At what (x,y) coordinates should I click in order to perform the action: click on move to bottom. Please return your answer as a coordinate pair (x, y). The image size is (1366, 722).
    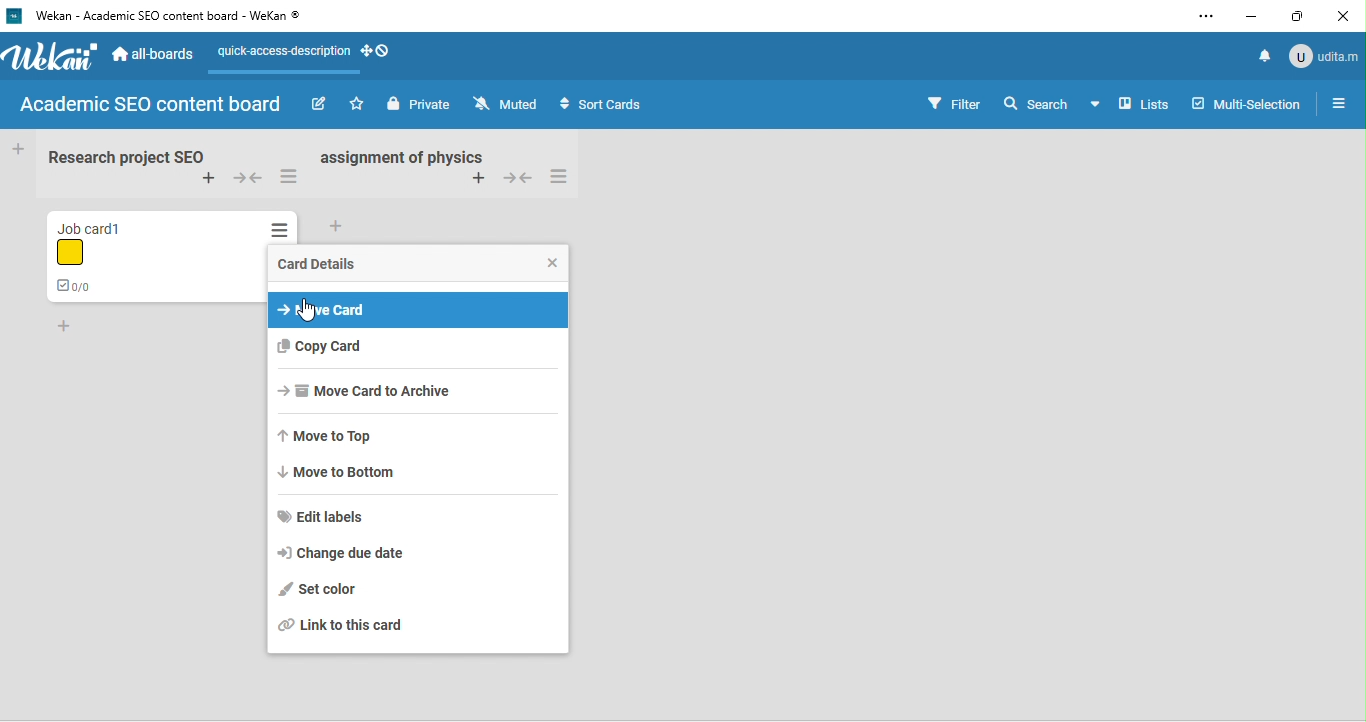
    Looking at the image, I should click on (343, 471).